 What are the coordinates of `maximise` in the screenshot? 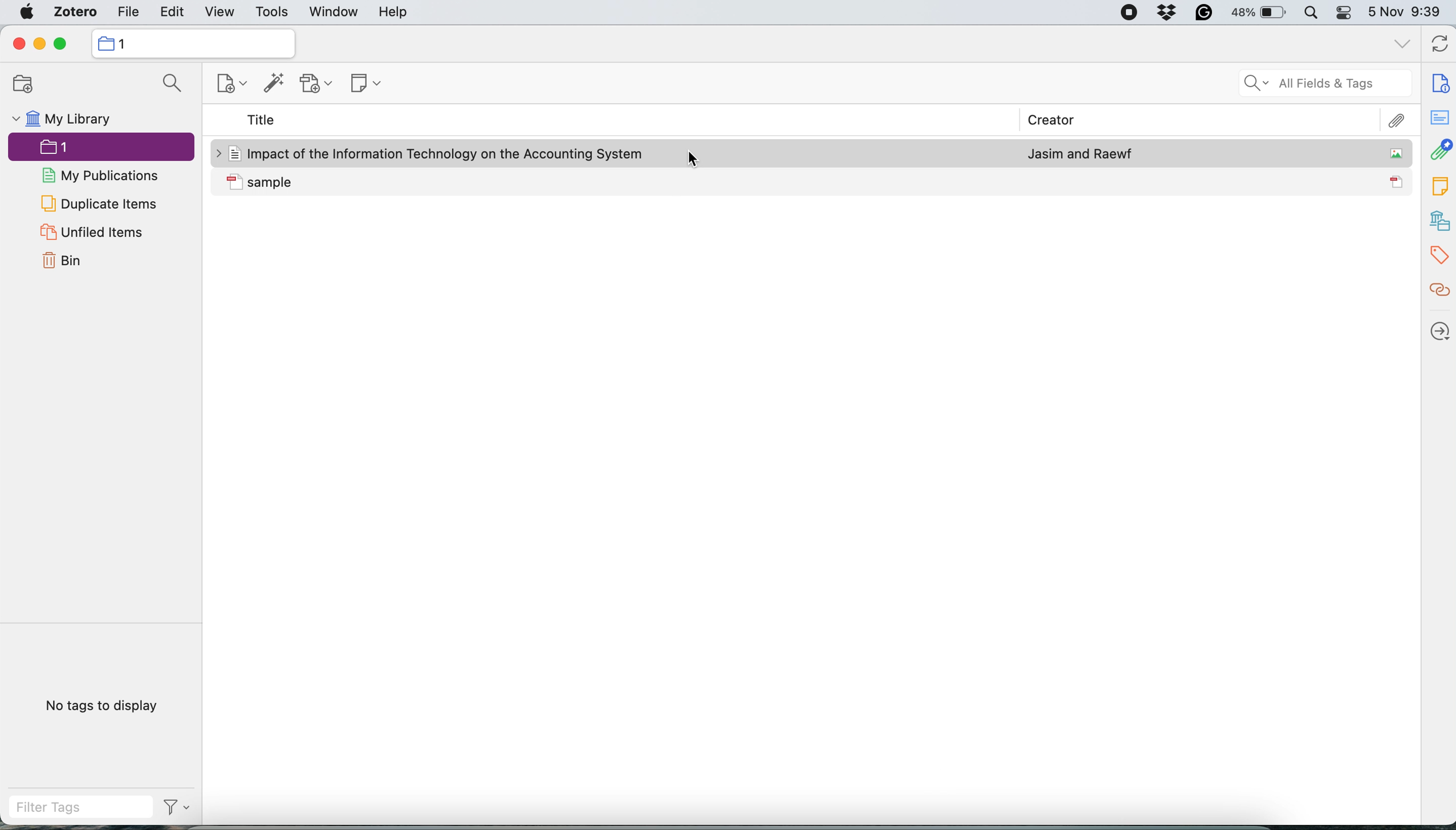 It's located at (61, 44).